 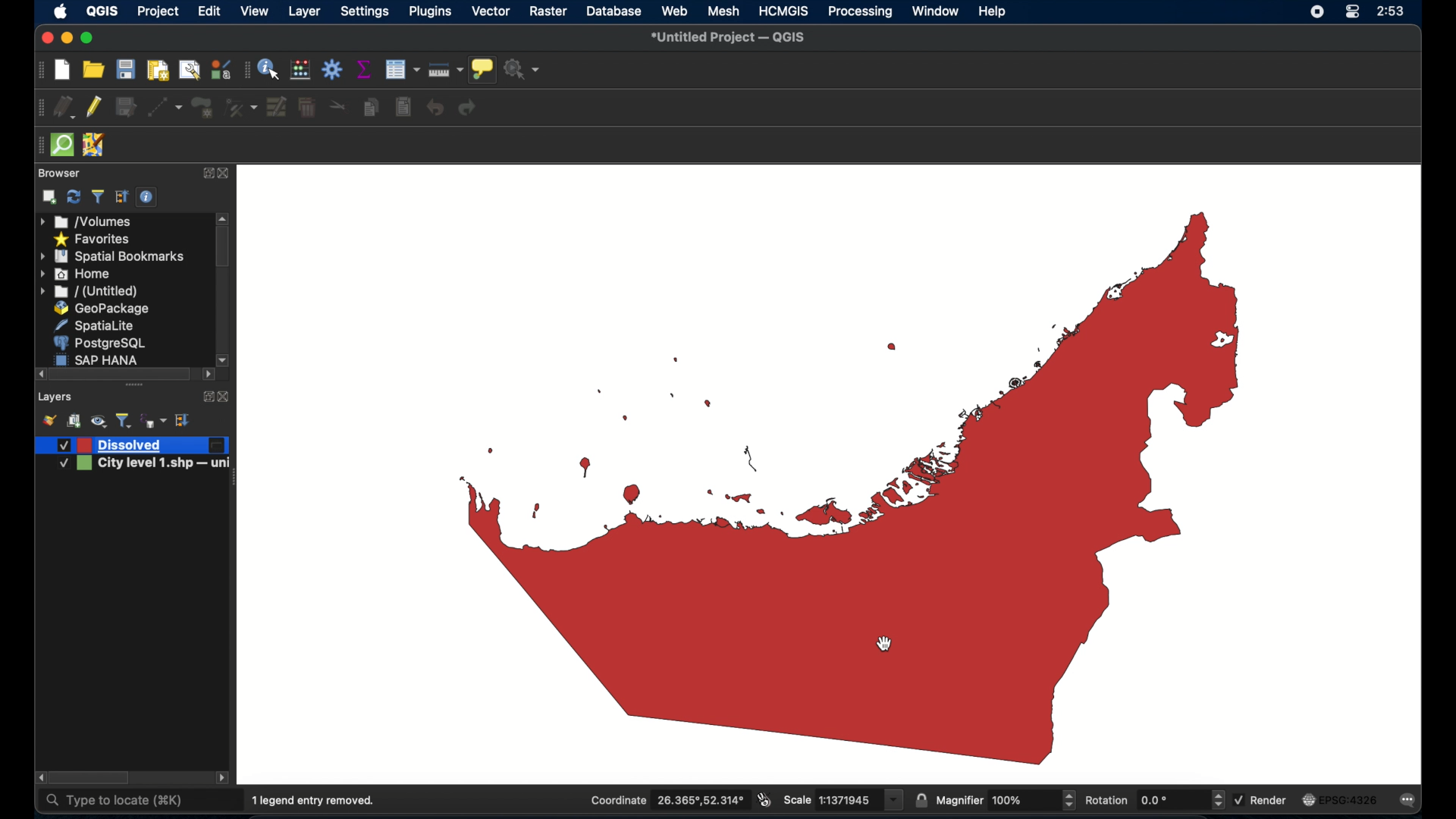 I want to click on help, so click(x=994, y=12).